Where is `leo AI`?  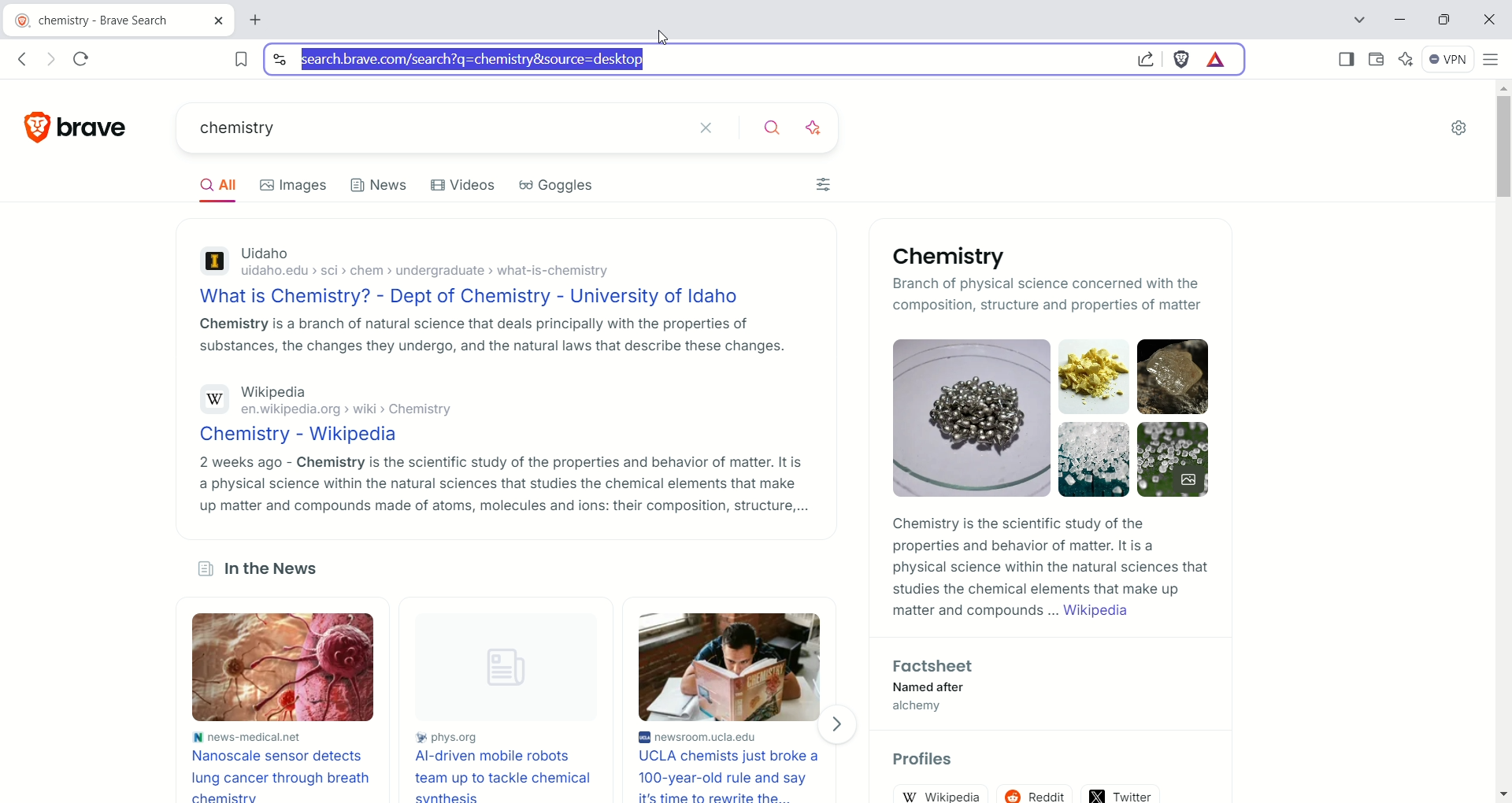
leo AI is located at coordinates (1406, 60).